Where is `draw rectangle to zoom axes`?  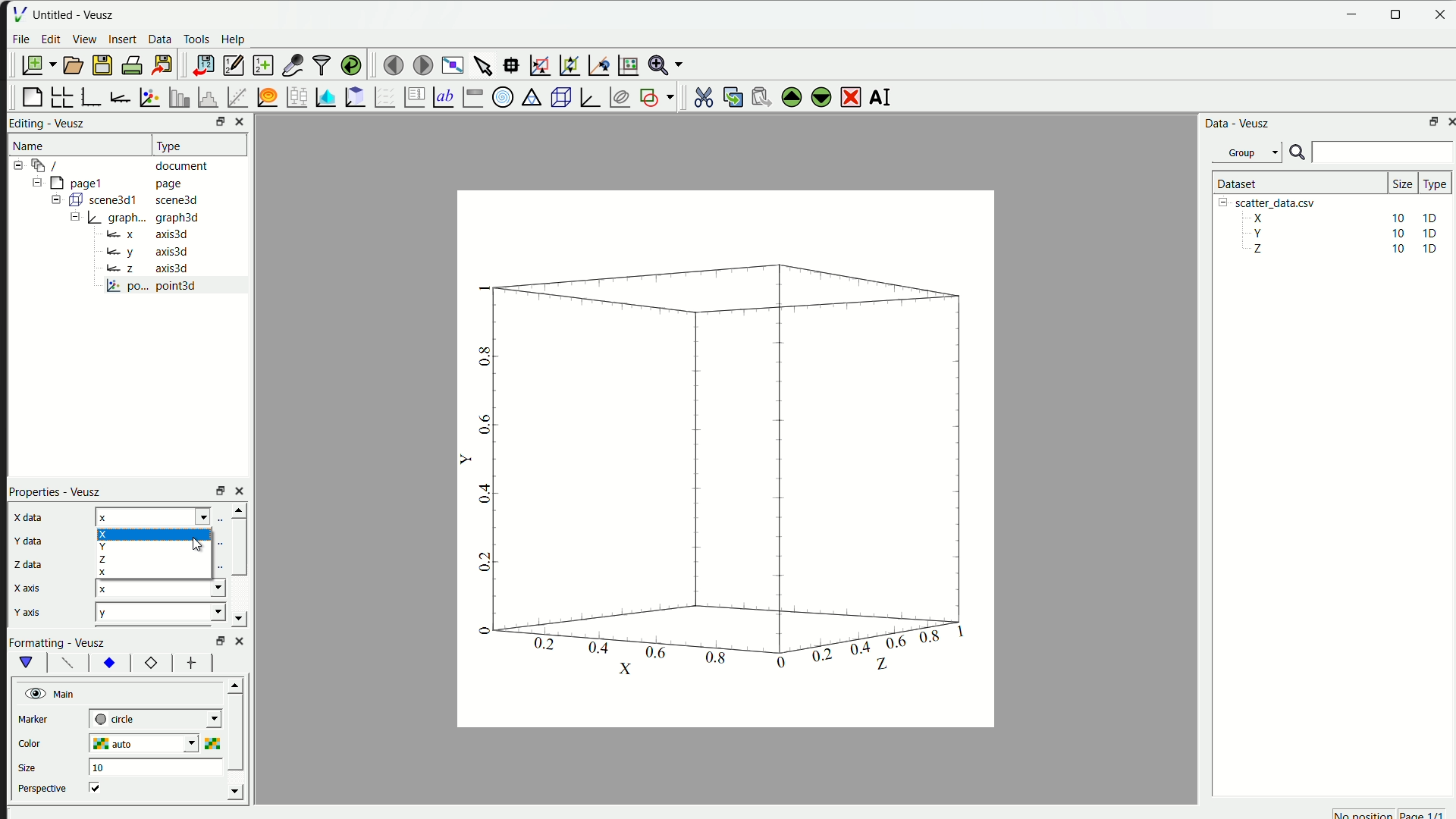
draw rectangle to zoom axes is located at coordinates (540, 63).